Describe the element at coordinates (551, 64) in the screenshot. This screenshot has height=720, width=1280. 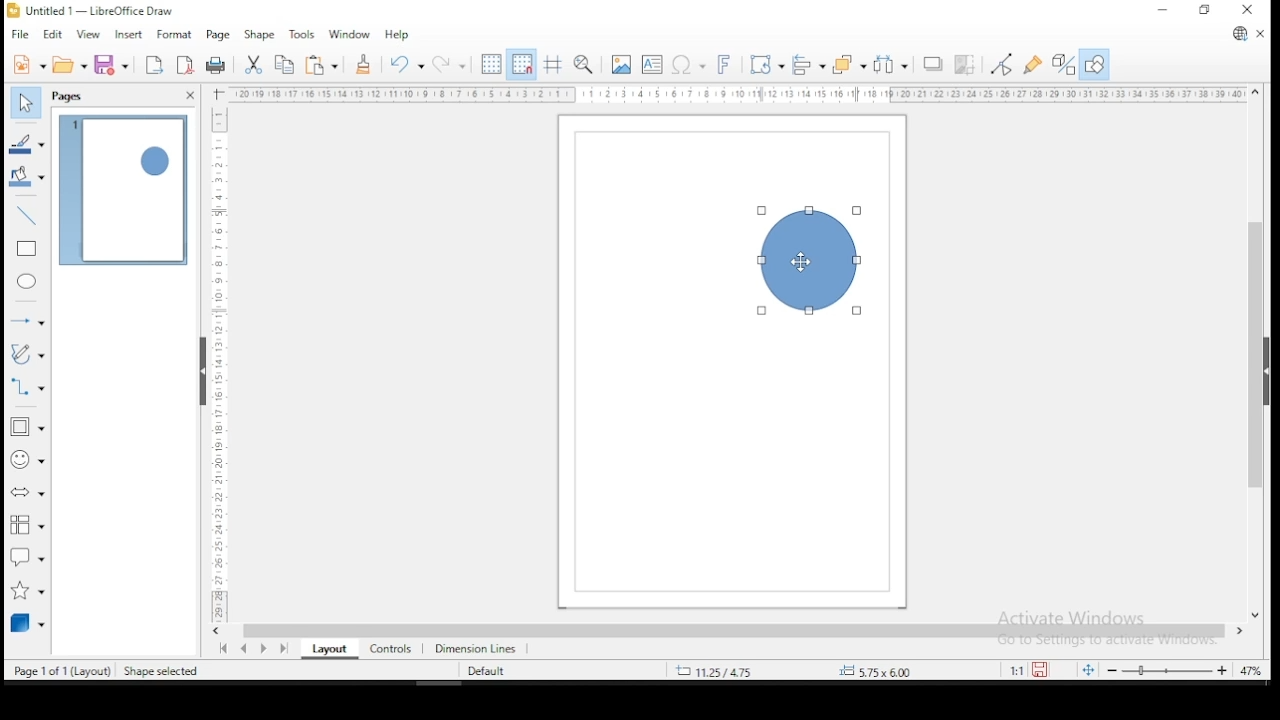
I see `helplines when moving` at that location.